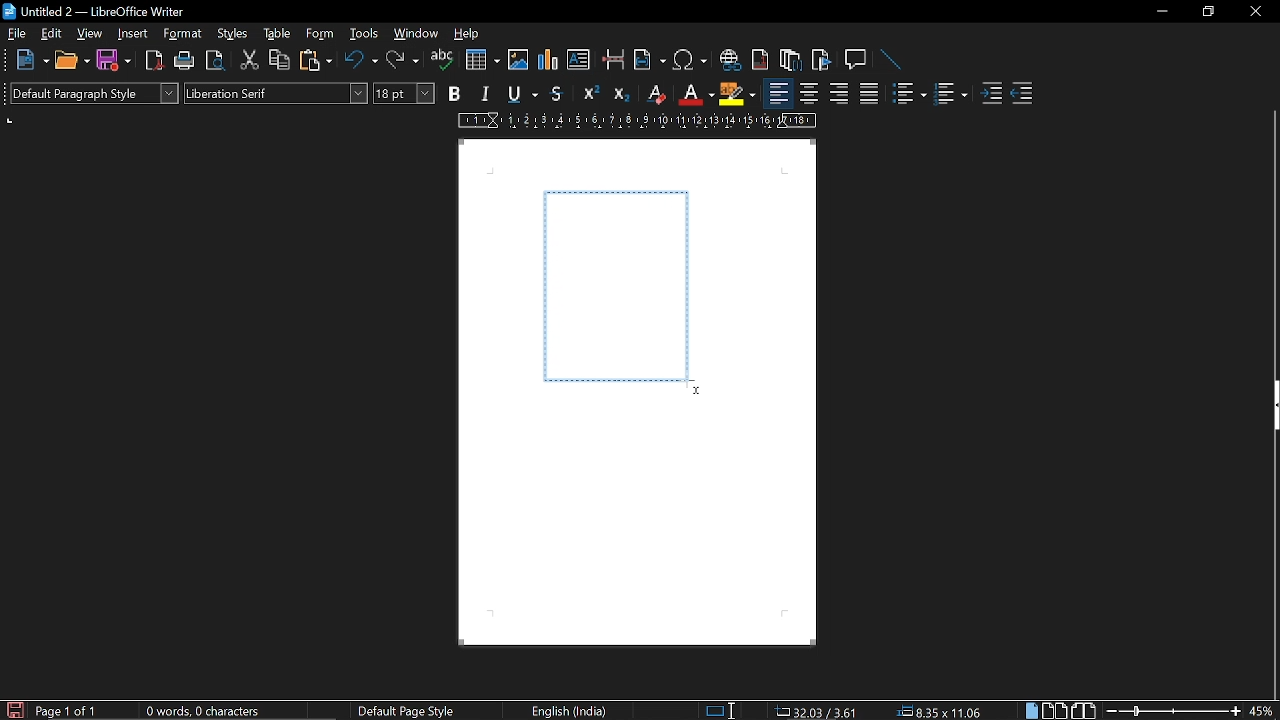  Describe the element at coordinates (234, 36) in the screenshot. I see `styles` at that location.